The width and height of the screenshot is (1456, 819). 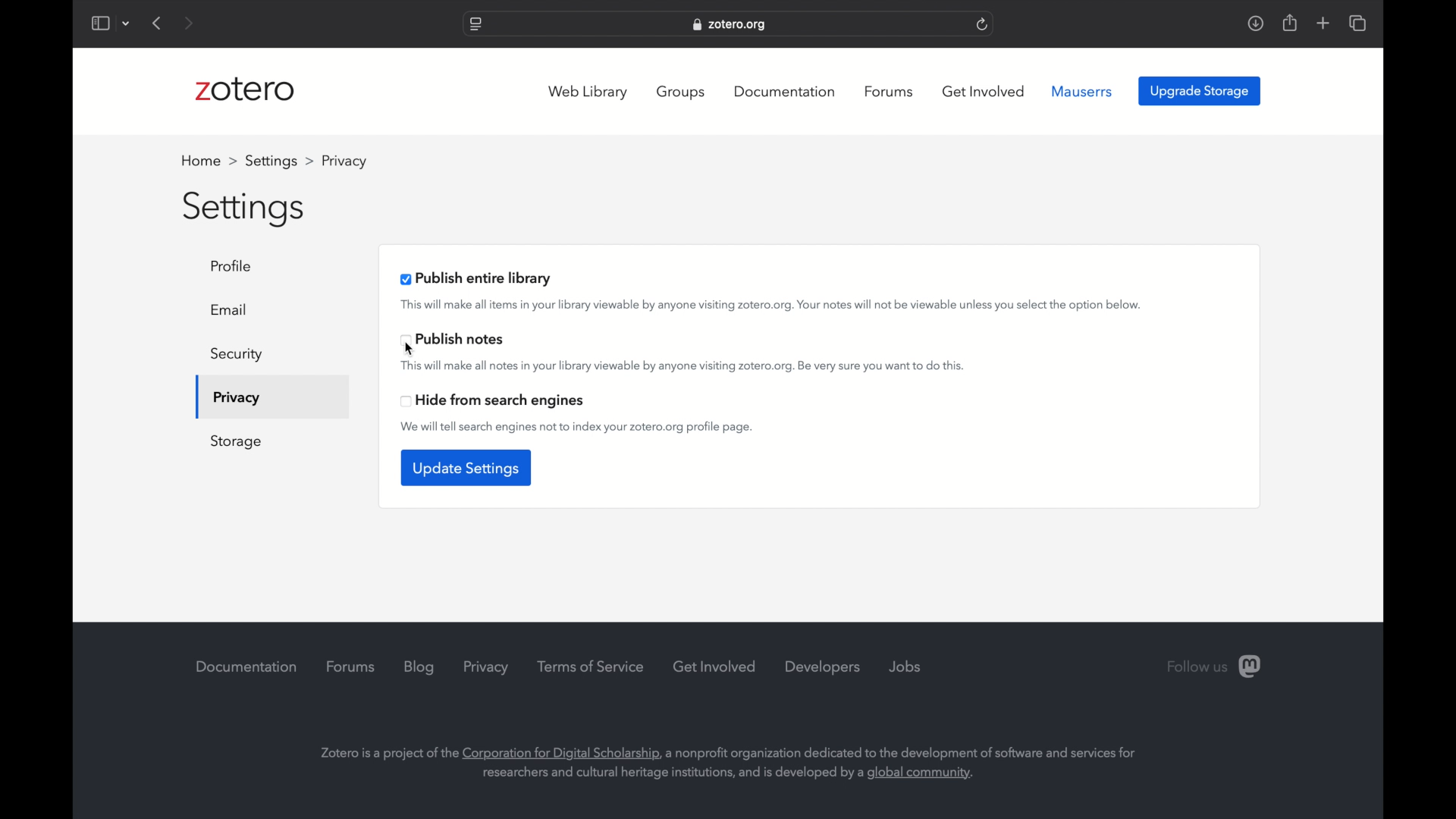 What do you see at coordinates (1214, 667) in the screenshot?
I see `follow us` at bounding box center [1214, 667].